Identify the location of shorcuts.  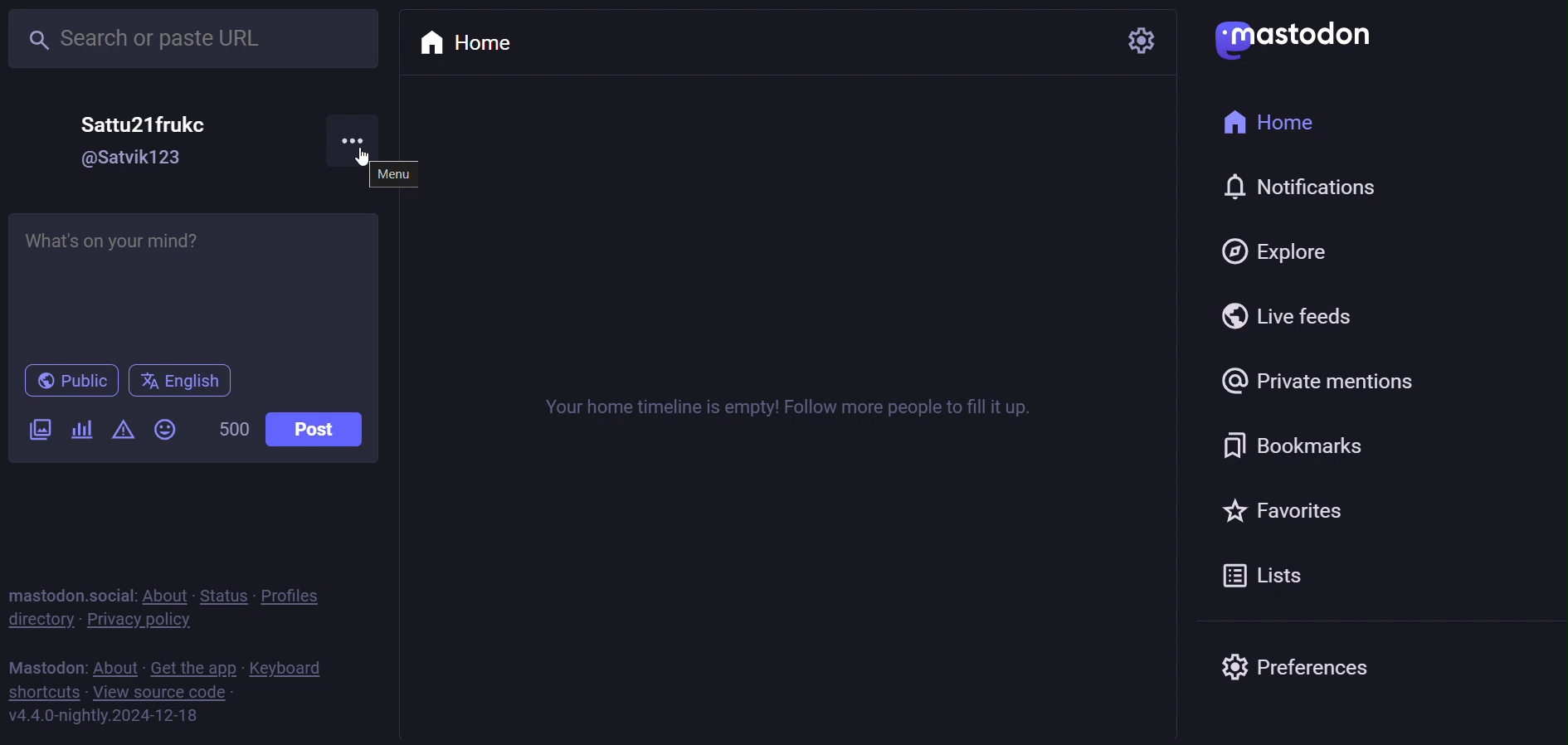
(45, 692).